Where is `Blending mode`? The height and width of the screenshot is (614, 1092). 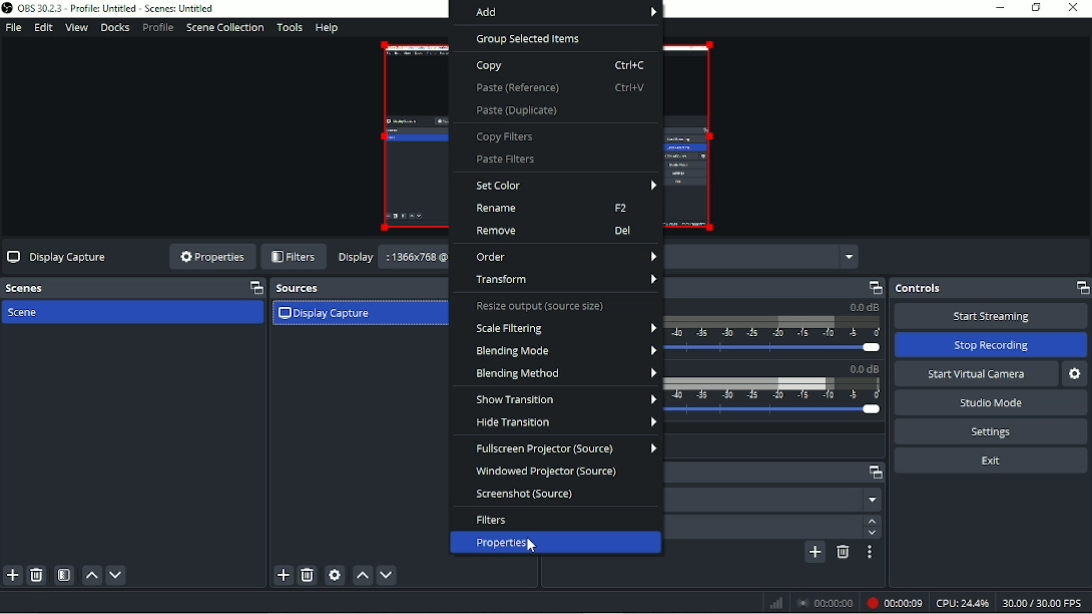 Blending mode is located at coordinates (563, 352).